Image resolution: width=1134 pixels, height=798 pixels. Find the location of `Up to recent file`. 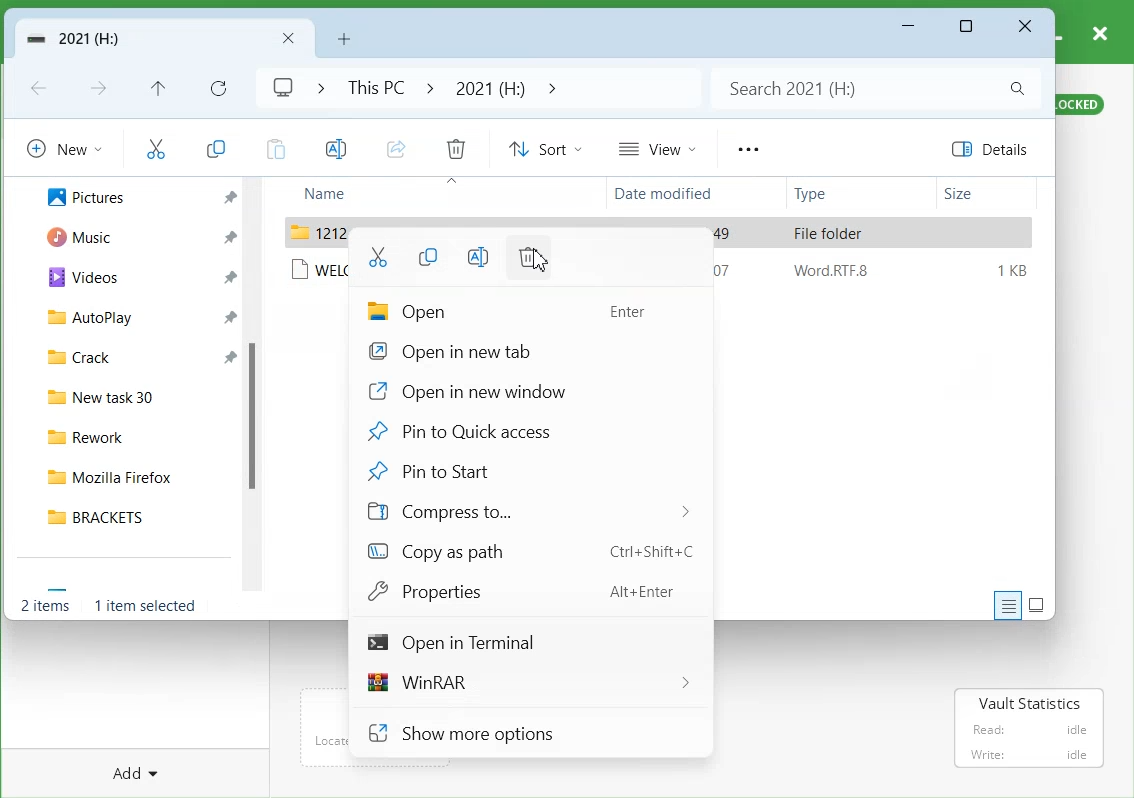

Up to recent file is located at coordinates (157, 88).